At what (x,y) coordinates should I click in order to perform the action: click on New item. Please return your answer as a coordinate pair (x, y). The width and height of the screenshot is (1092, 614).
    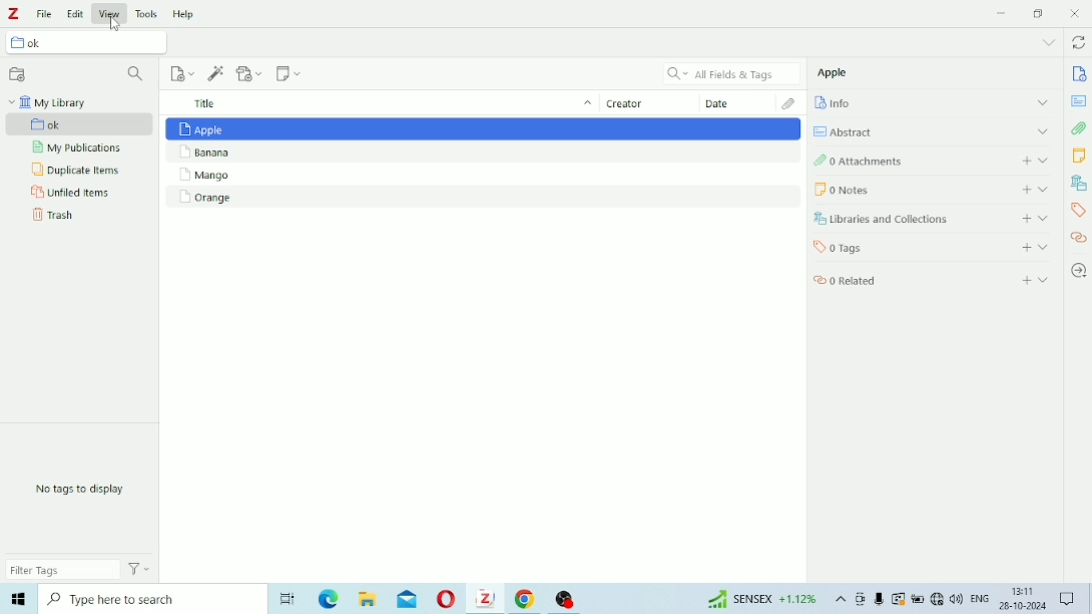
    Looking at the image, I should click on (182, 73).